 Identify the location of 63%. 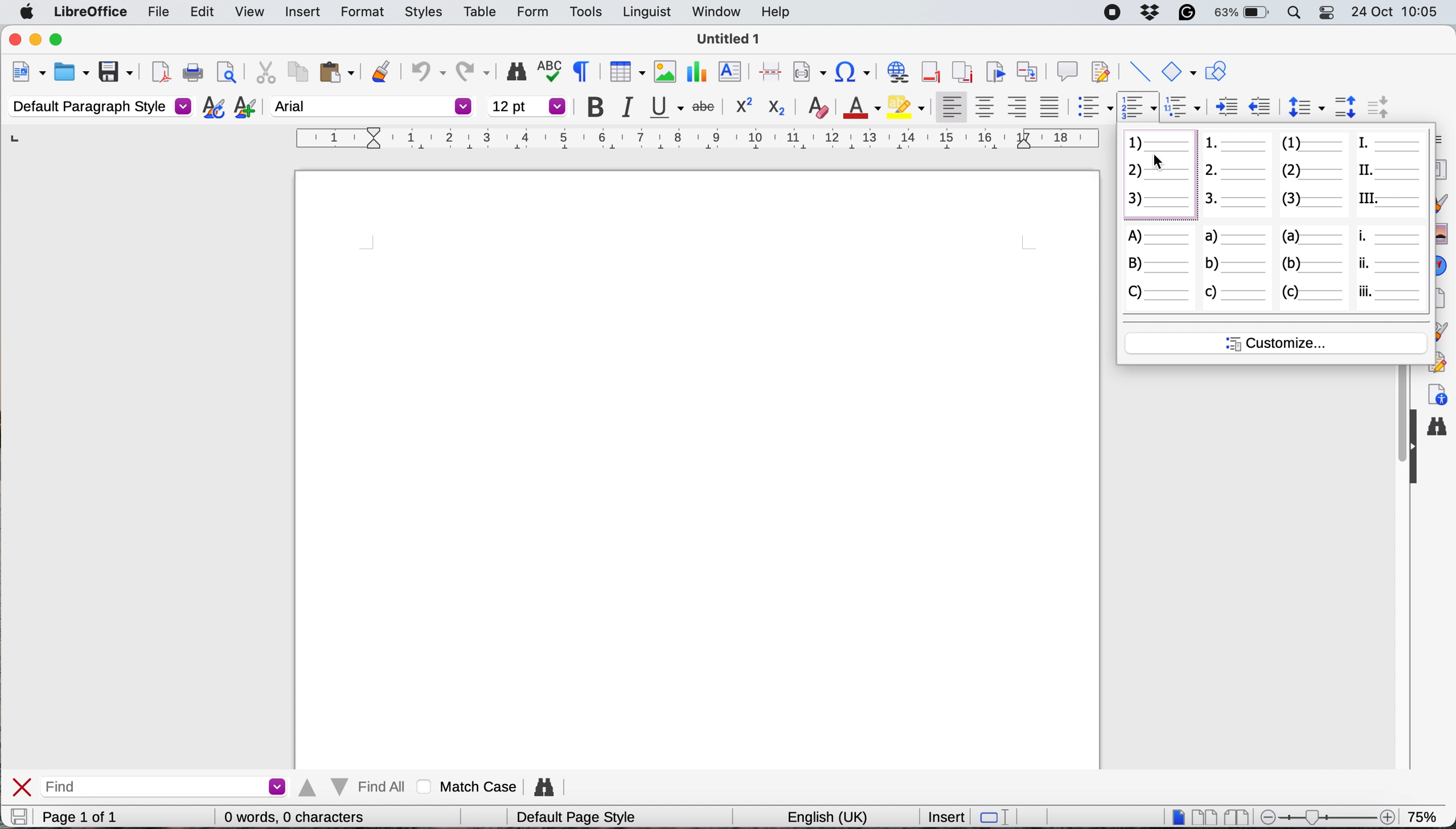
(1242, 14).